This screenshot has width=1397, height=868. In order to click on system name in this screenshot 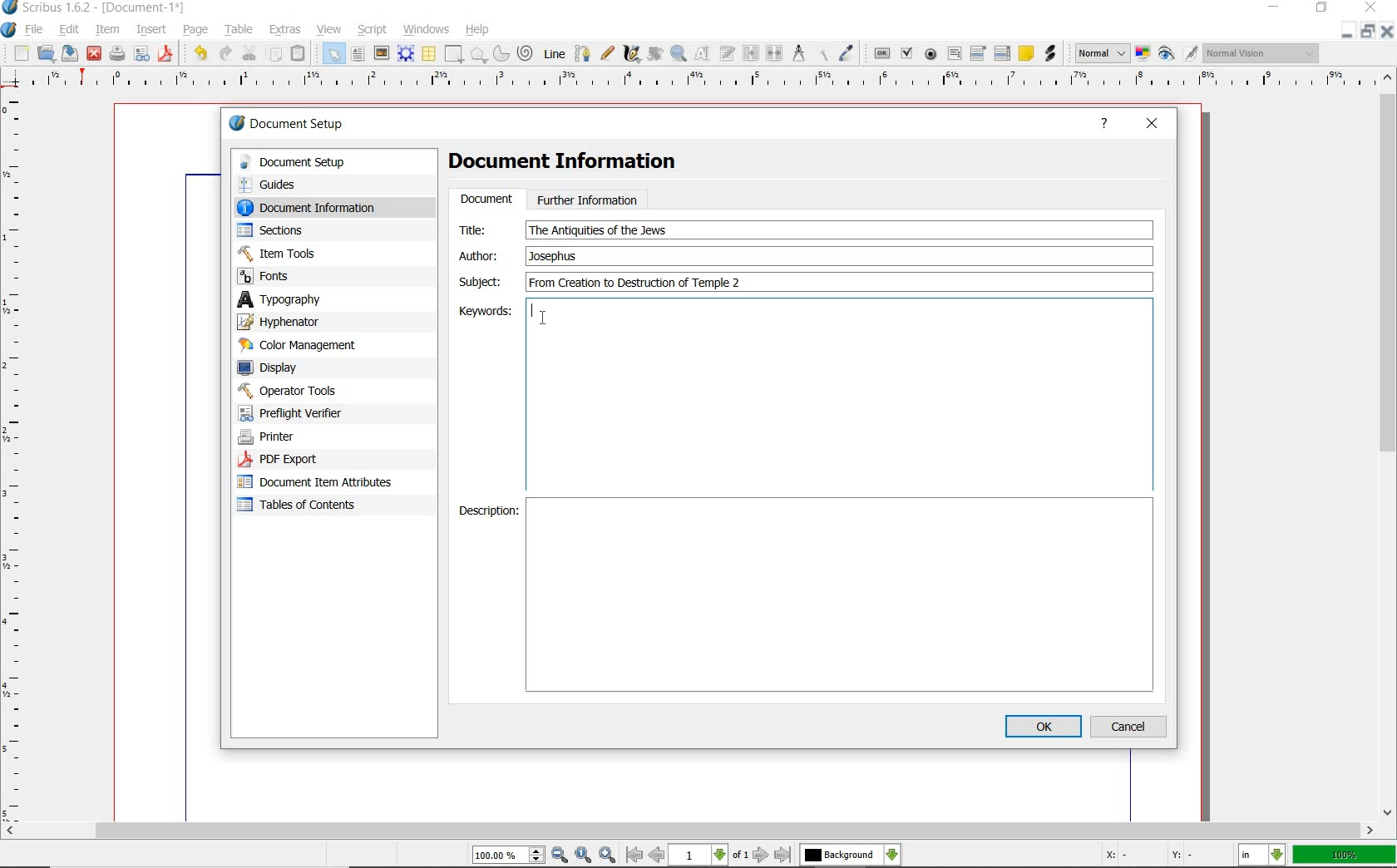, I will do `click(94, 8)`.